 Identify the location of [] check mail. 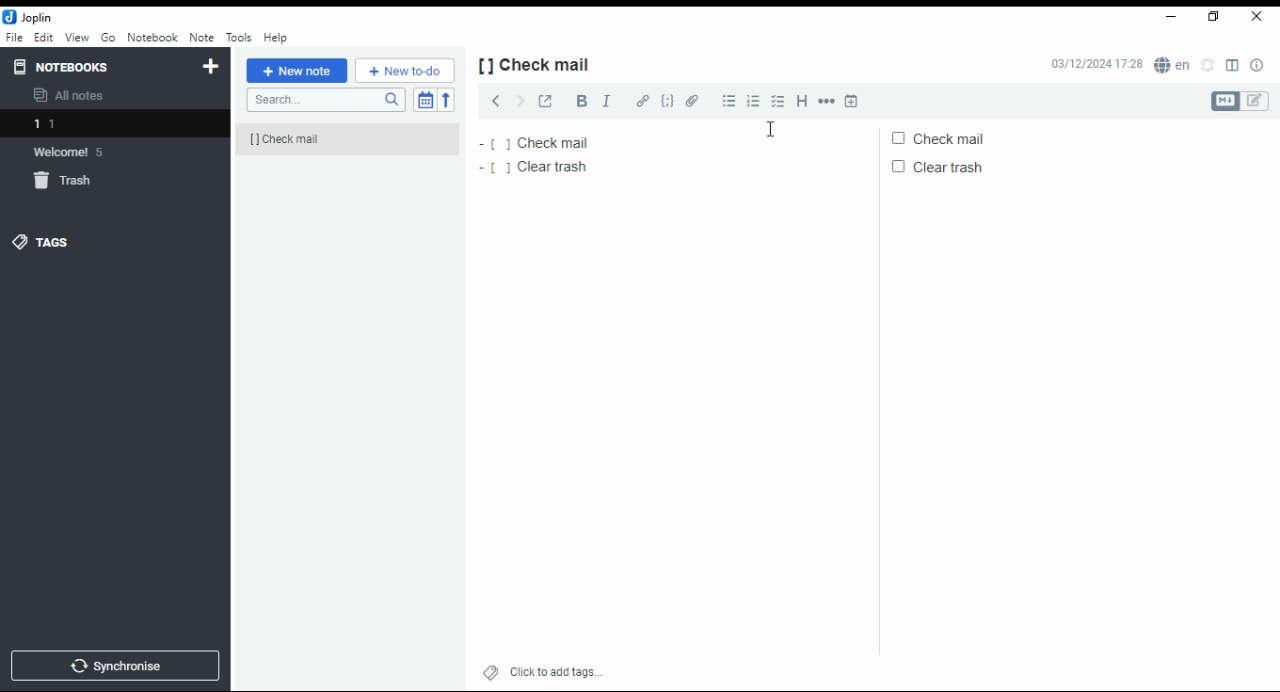
(332, 139).